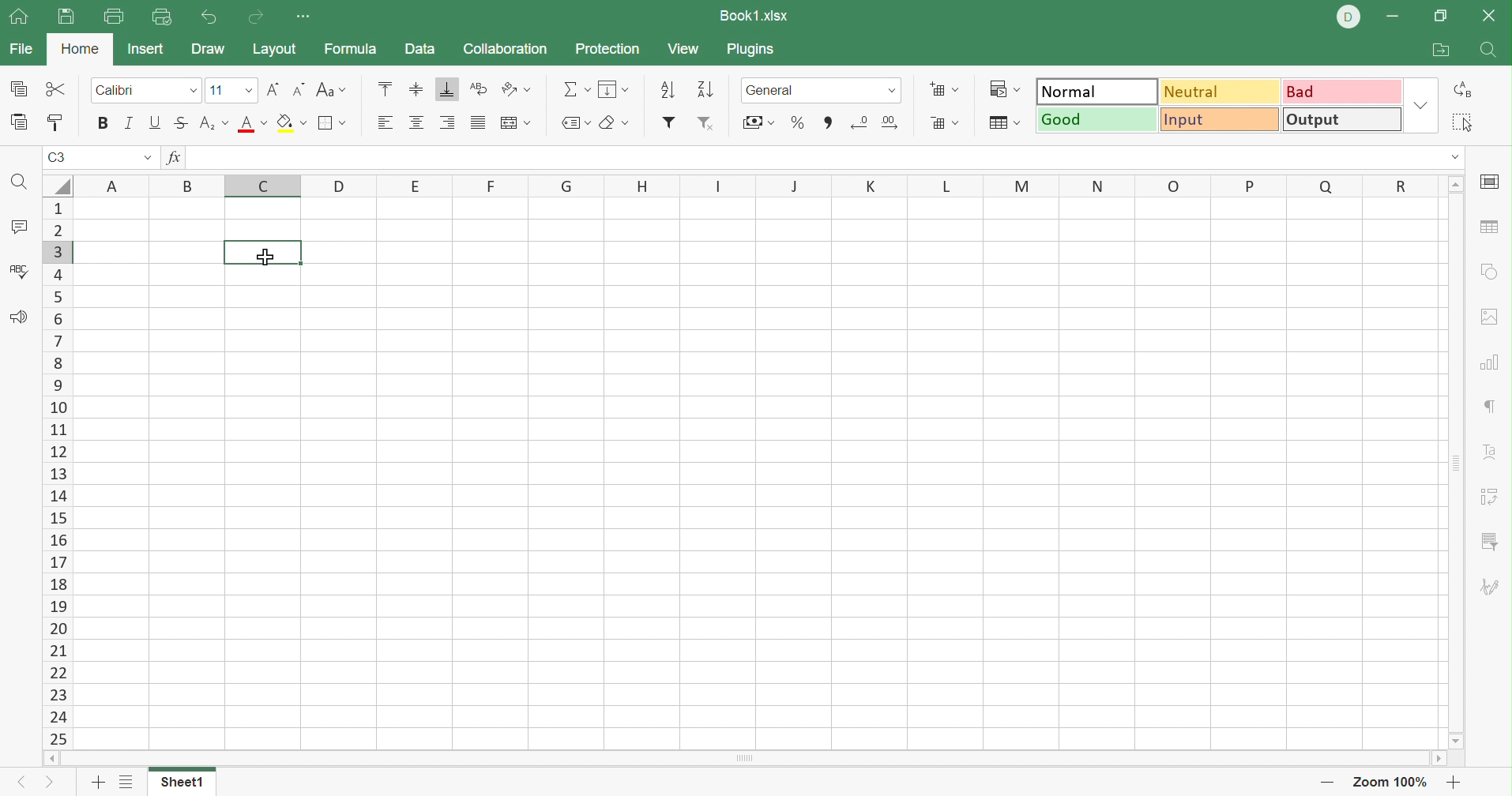 The height and width of the screenshot is (796, 1512). I want to click on Drop down, so click(1455, 156).